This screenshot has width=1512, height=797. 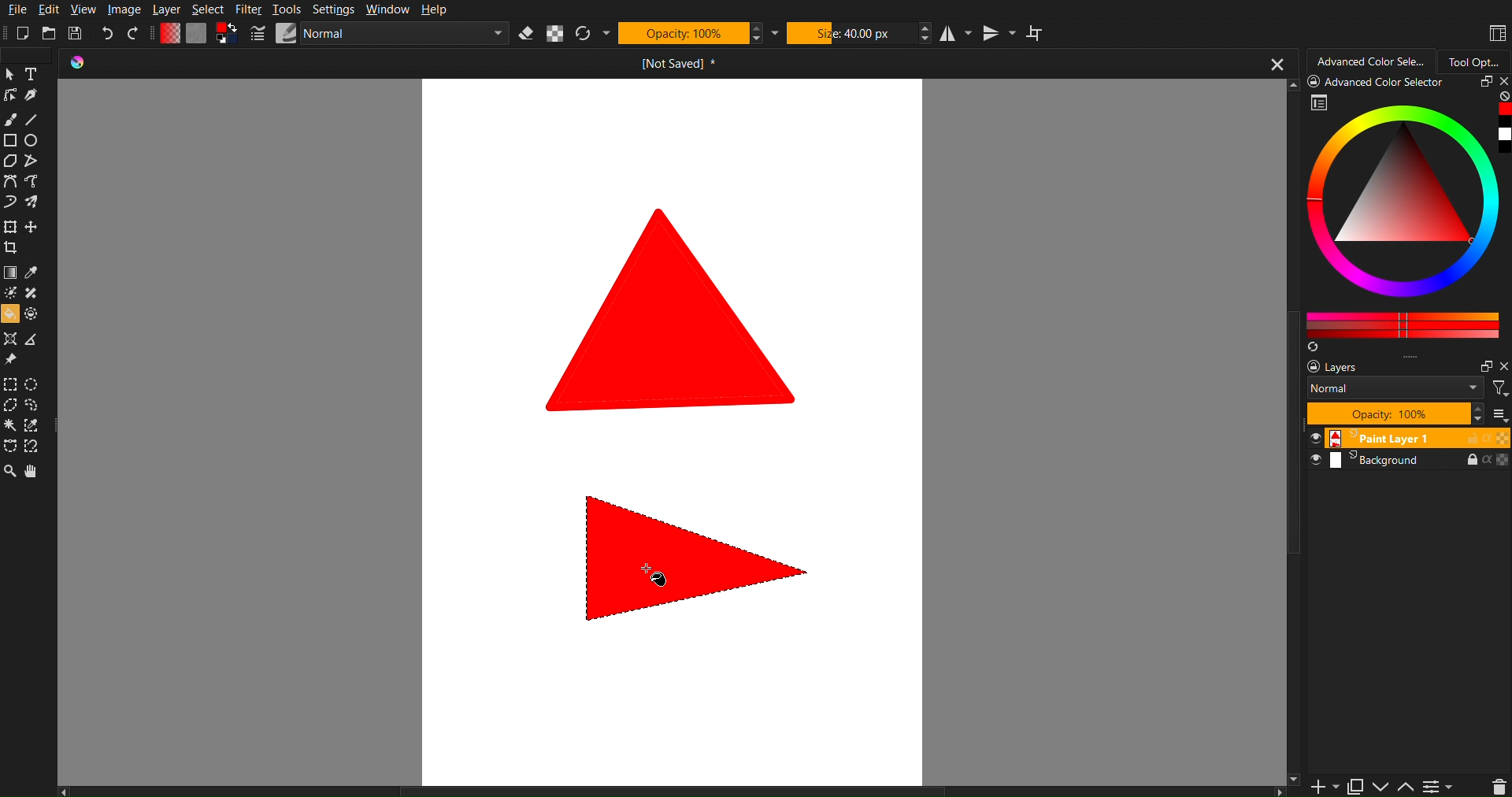 I want to click on Free shape, so click(x=34, y=183).